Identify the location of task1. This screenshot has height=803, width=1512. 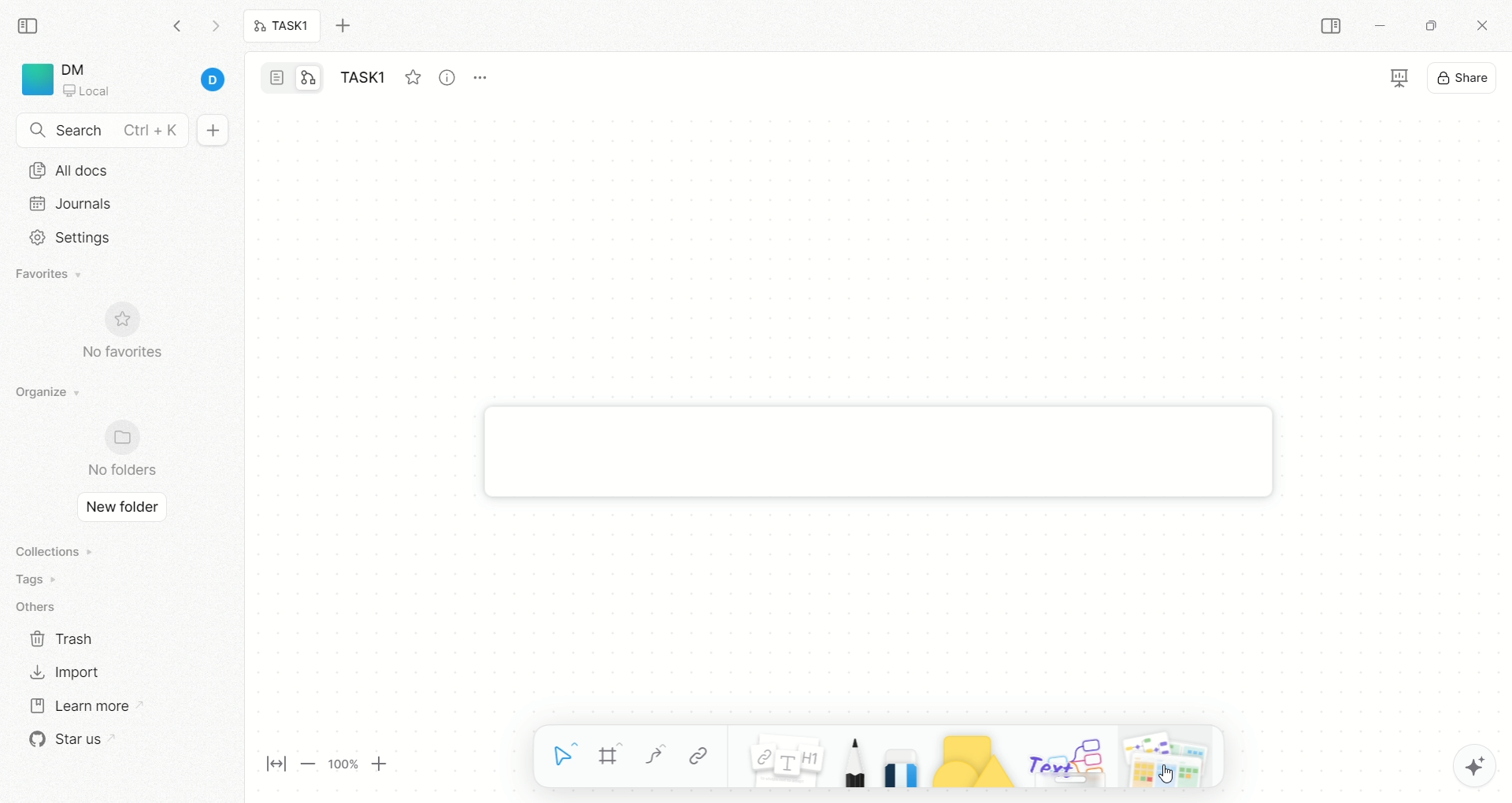
(367, 80).